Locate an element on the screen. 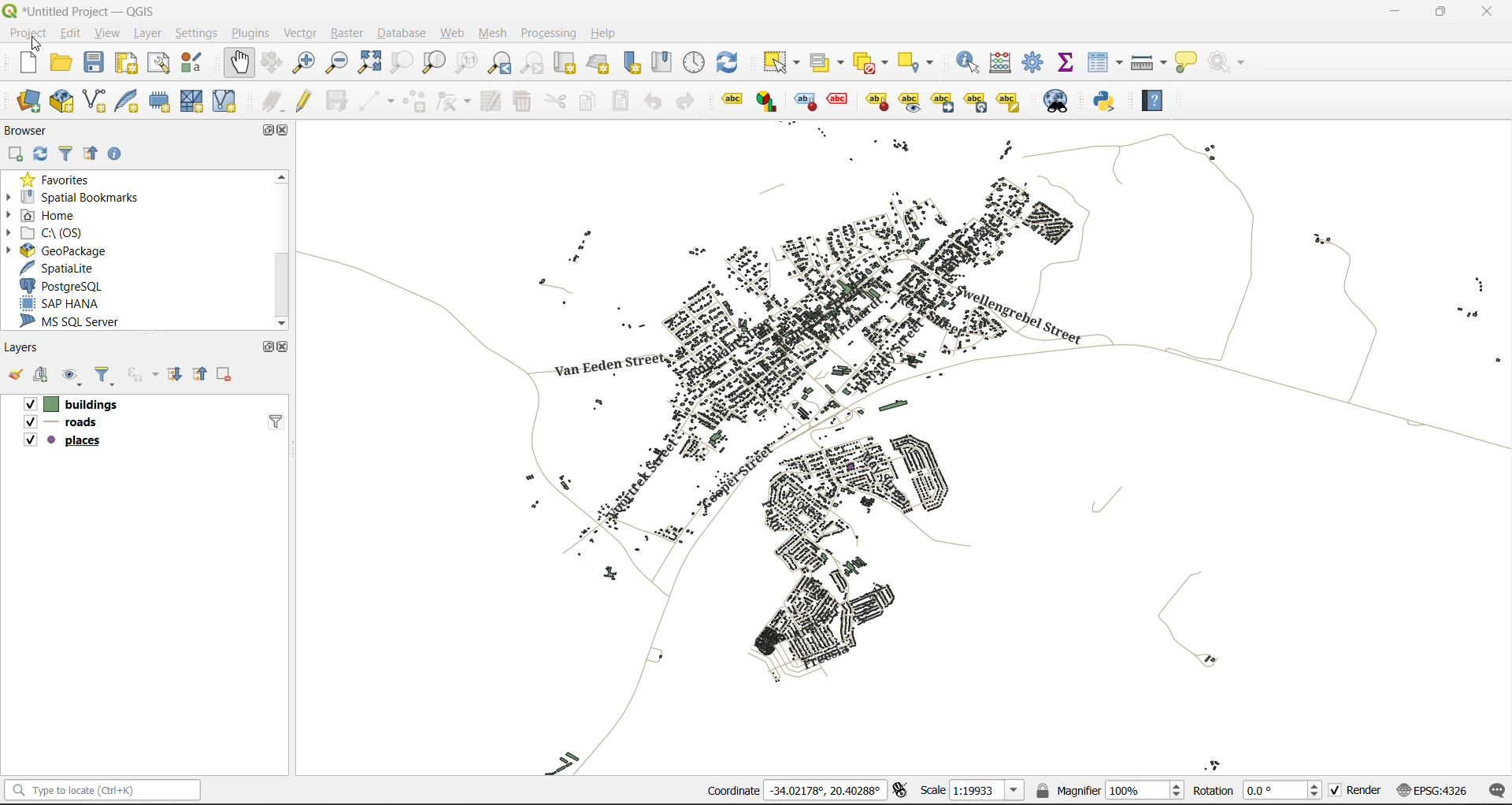 The width and height of the screenshot is (1512, 805). metasearch is located at coordinates (1058, 101).